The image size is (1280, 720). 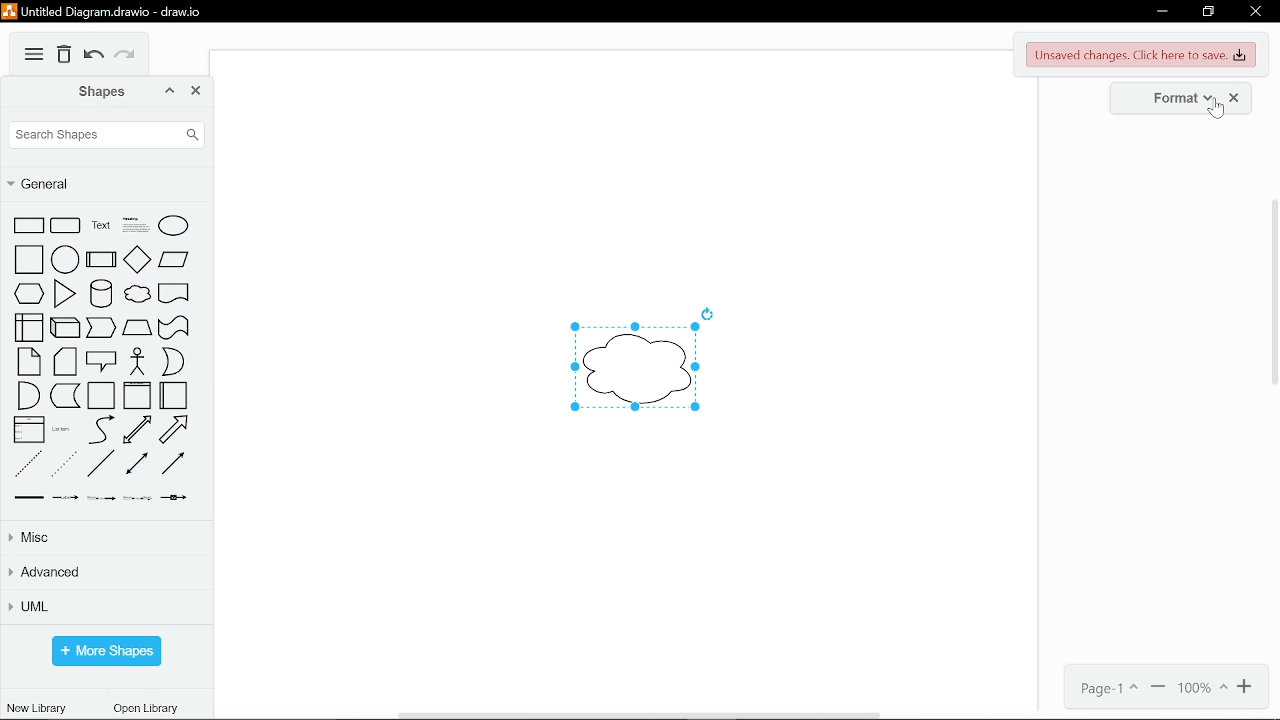 I want to click on connector with three label, so click(x=138, y=498).